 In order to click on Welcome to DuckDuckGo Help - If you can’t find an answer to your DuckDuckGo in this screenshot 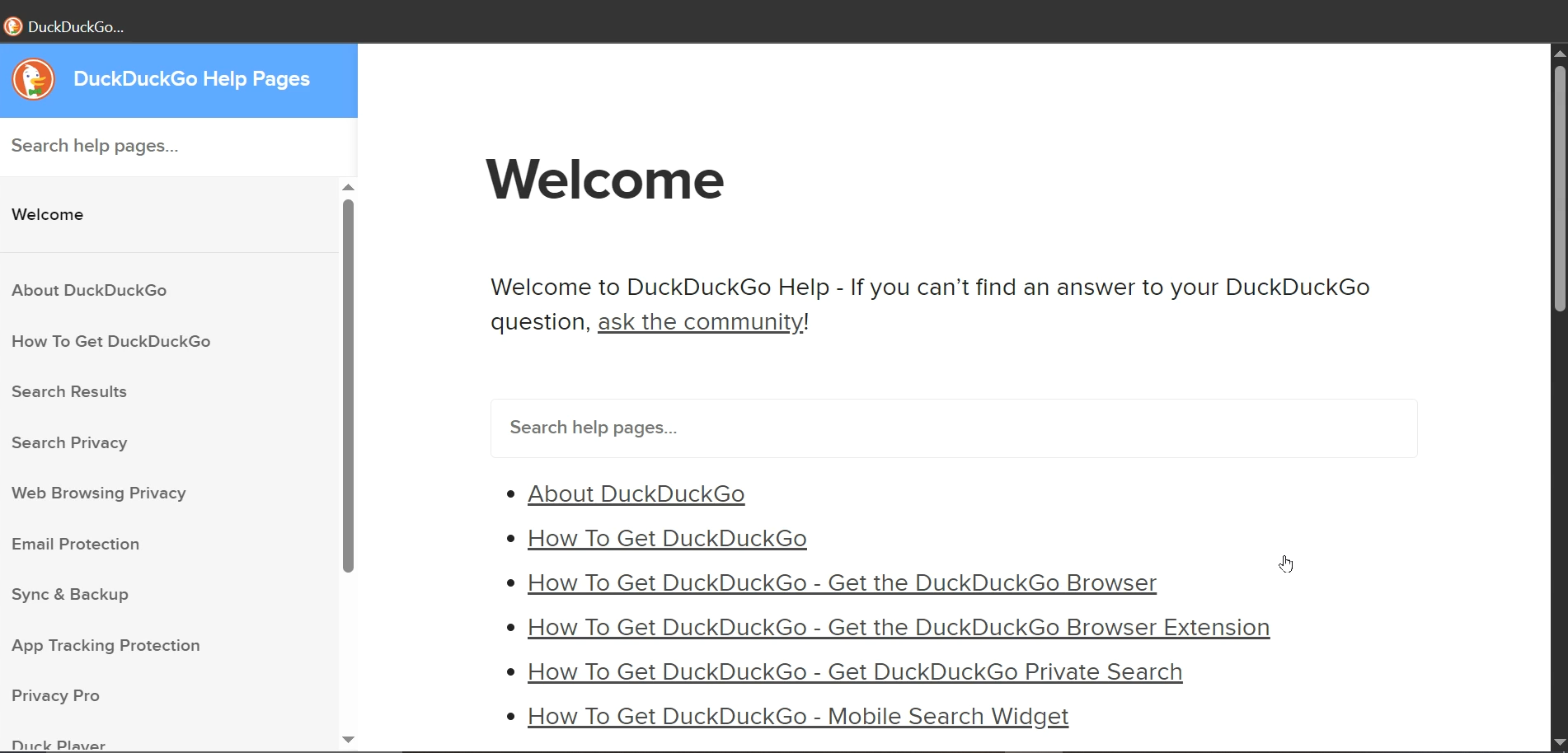, I will do `click(932, 287)`.